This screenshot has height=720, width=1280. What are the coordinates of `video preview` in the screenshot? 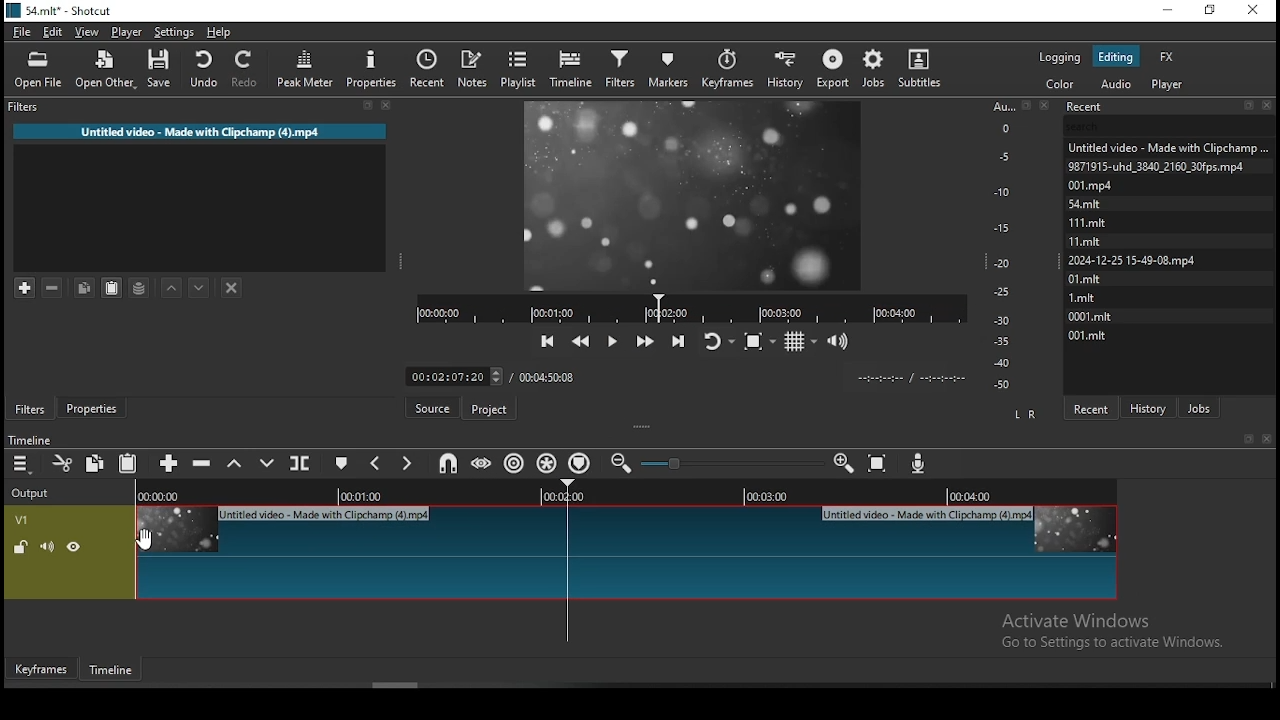 It's located at (691, 194).